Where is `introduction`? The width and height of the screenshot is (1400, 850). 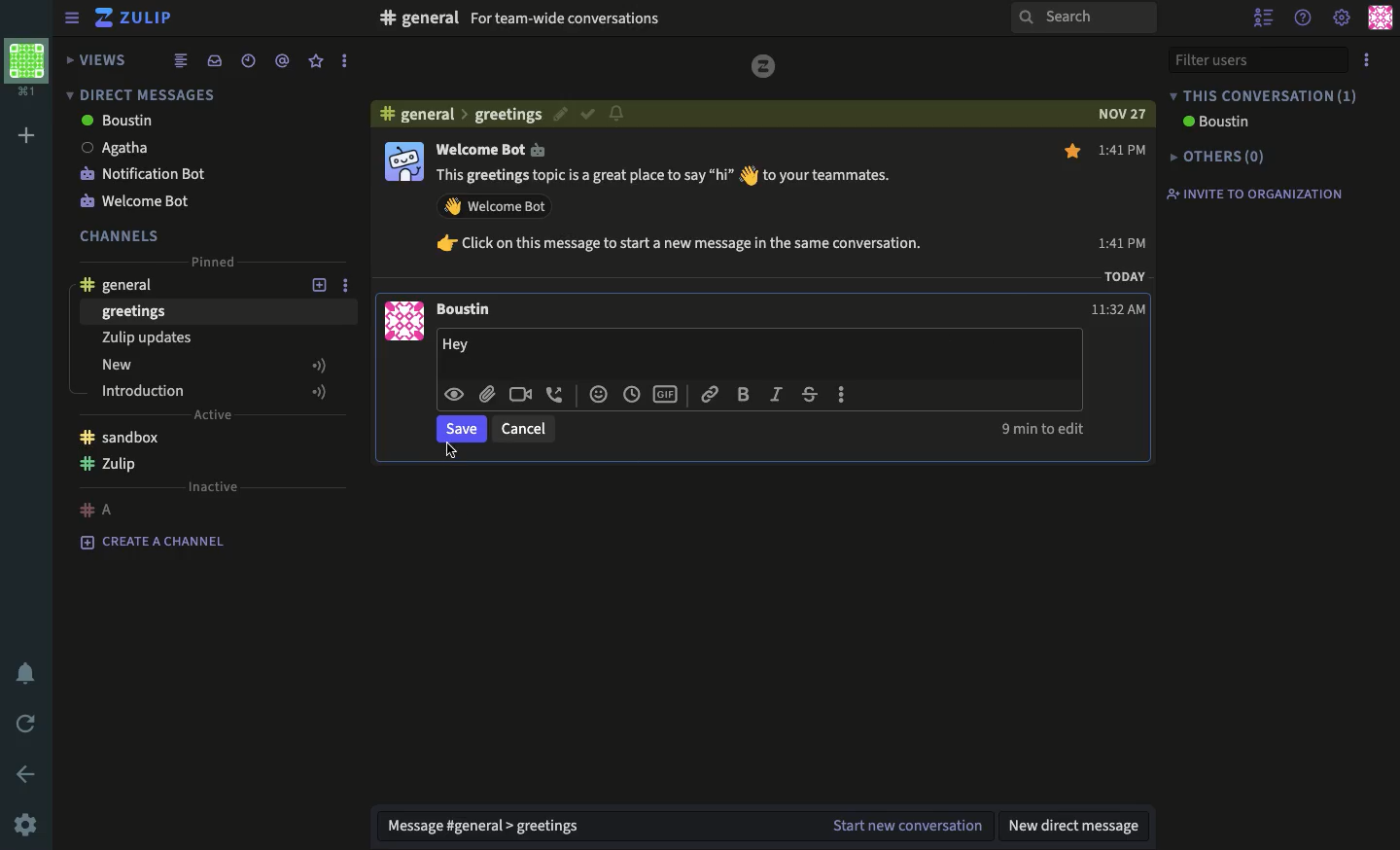
introduction is located at coordinates (216, 391).